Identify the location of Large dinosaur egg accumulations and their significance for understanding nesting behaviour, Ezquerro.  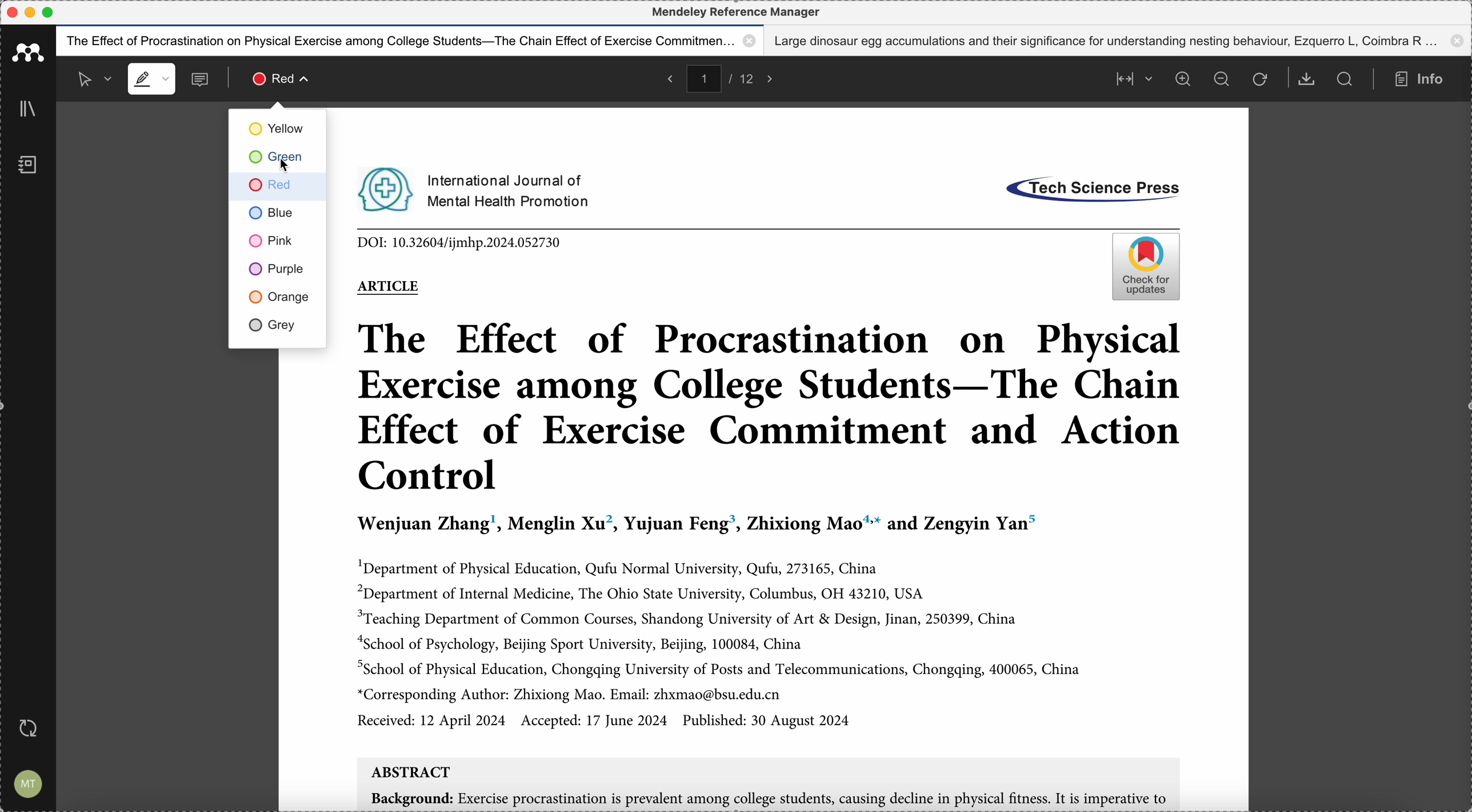
(1121, 41).